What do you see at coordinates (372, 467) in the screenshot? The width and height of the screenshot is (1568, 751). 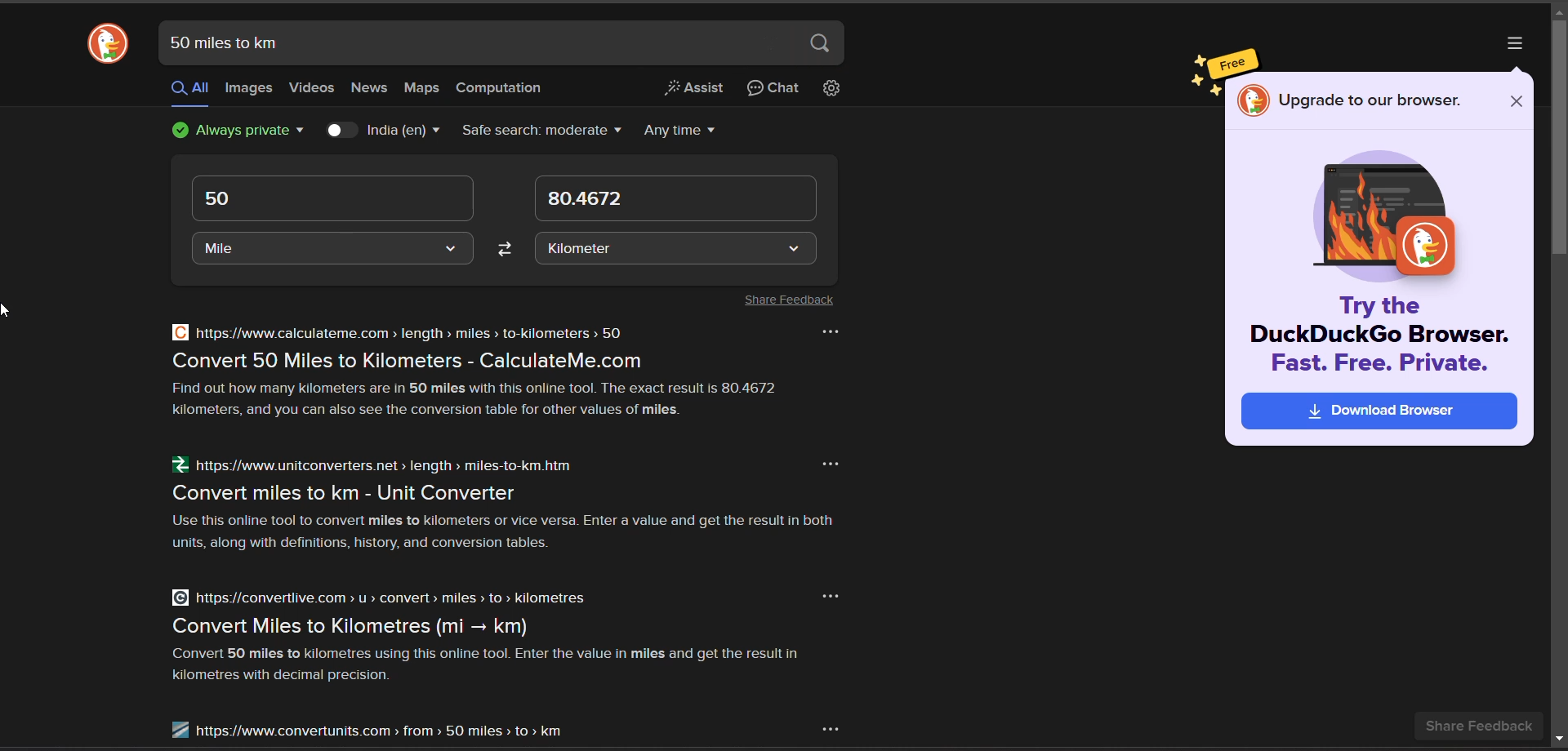 I see `https://www.unitconverters net > length > miles-to-km_htm` at bounding box center [372, 467].